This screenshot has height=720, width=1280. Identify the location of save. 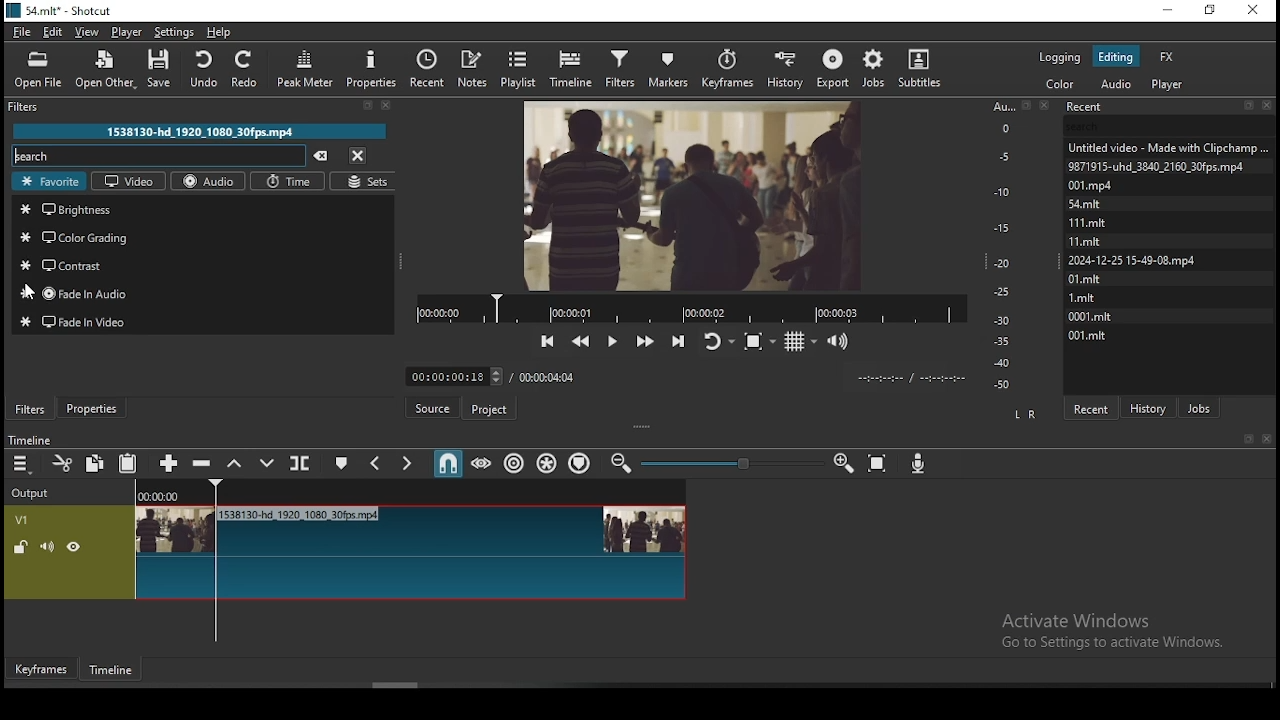
(163, 69).